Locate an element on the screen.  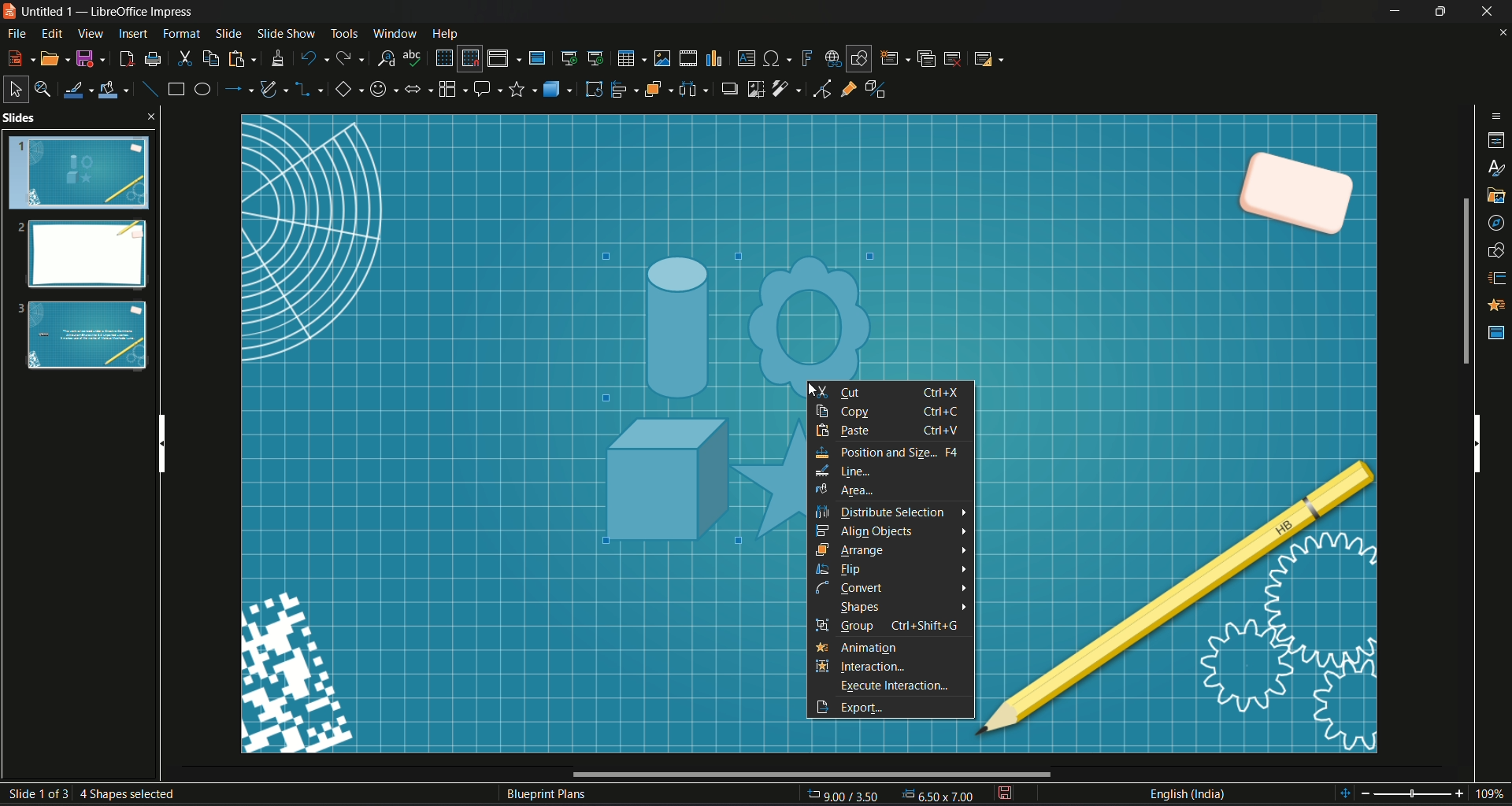
new is located at coordinates (20, 57).